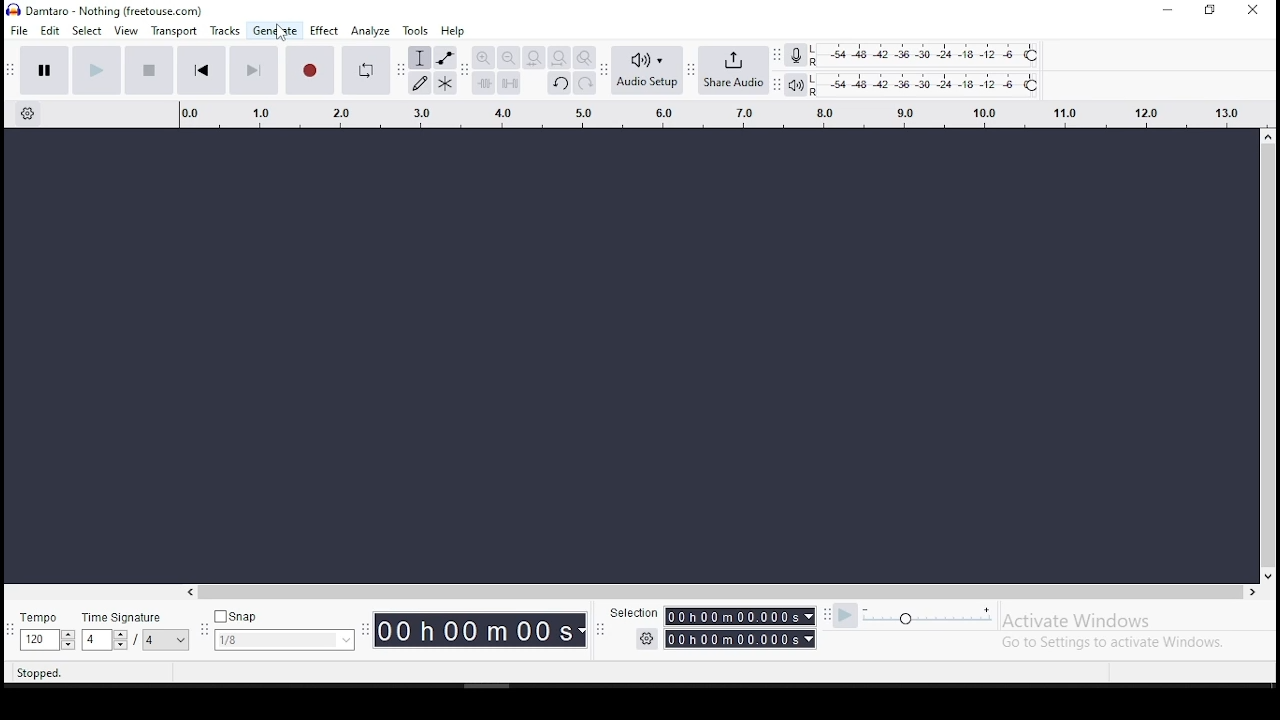 The height and width of the screenshot is (720, 1280). I want to click on pause, so click(42, 70).